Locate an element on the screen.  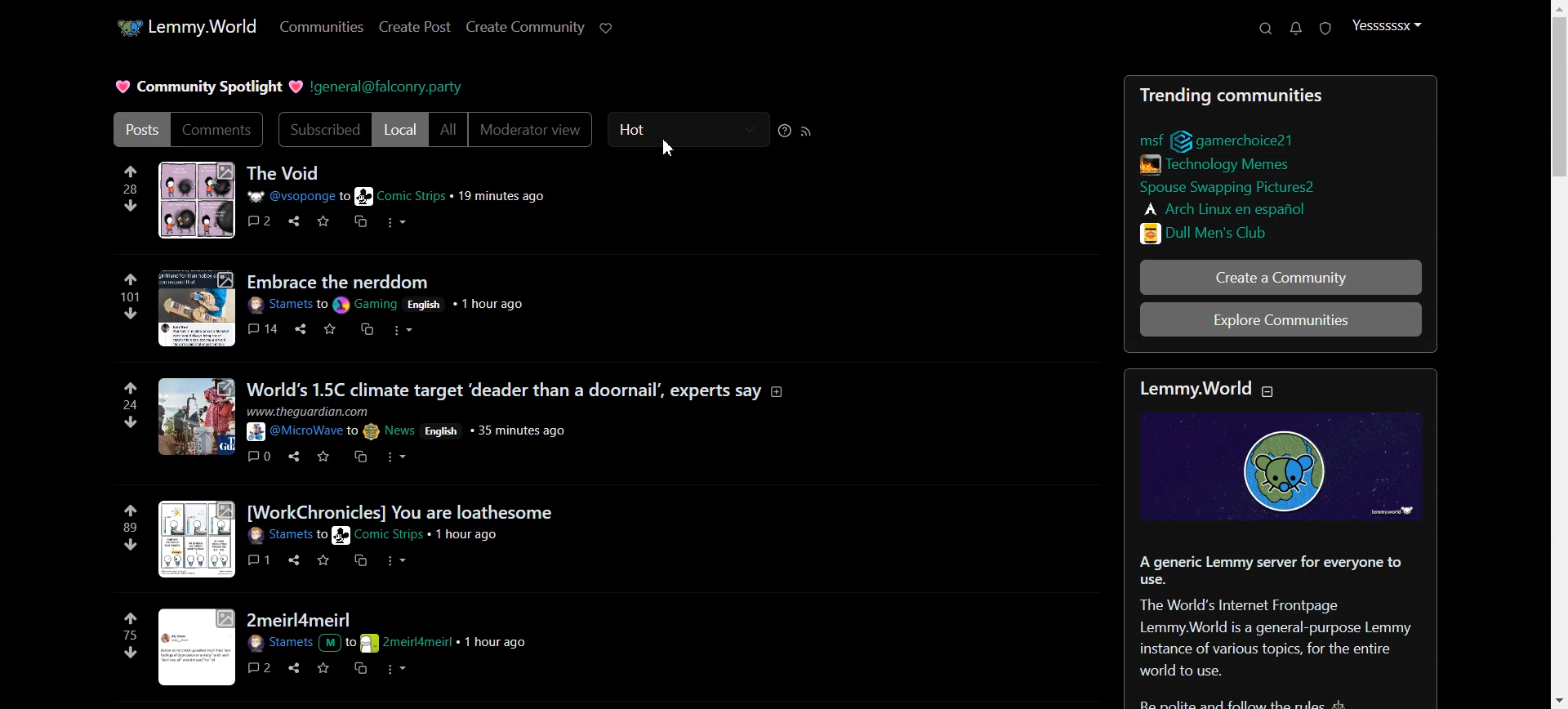
LInks is located at coordinates (1226, 185).